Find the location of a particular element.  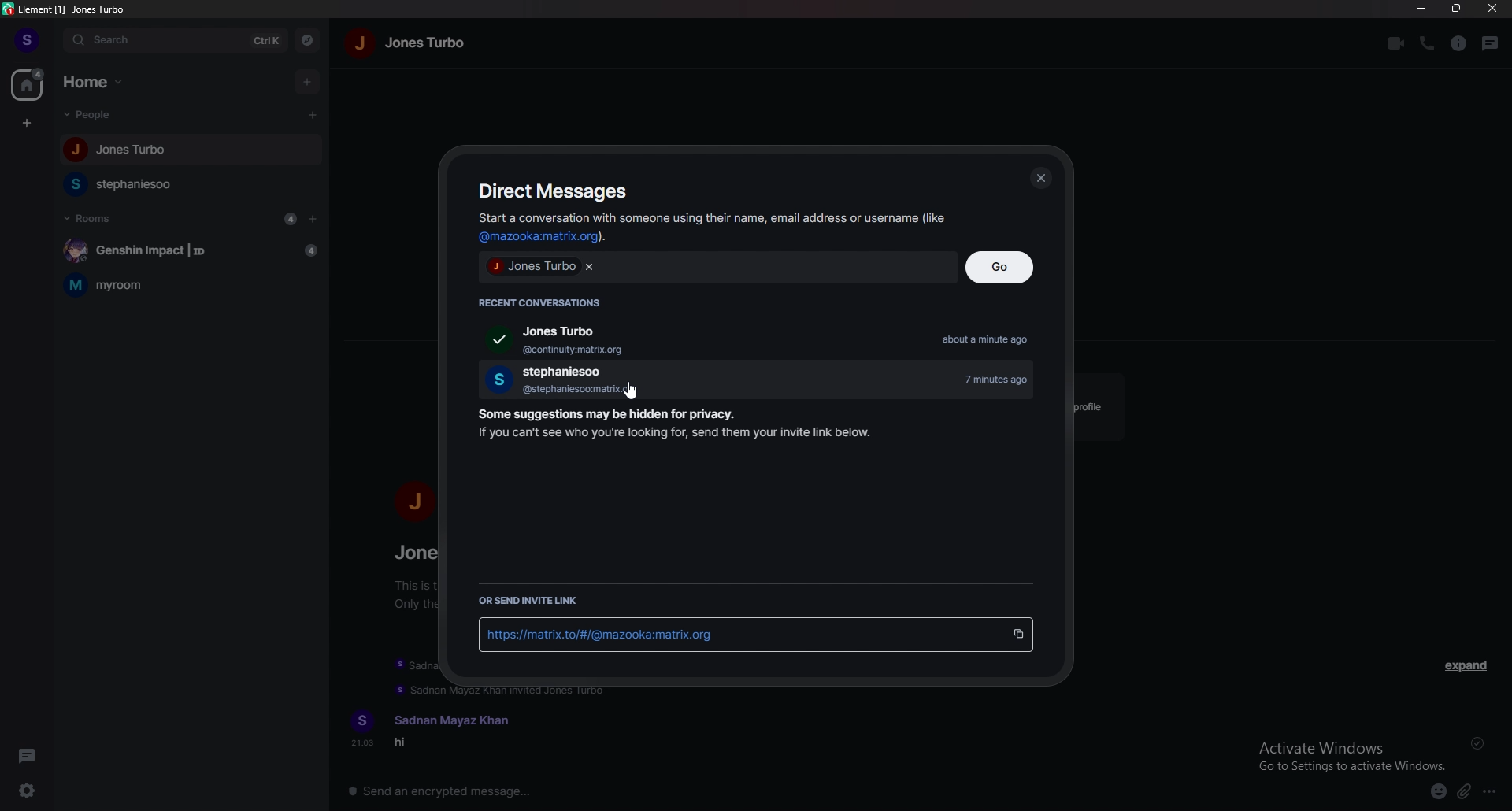

Jones Turbo is located at coordinates (116, 152).